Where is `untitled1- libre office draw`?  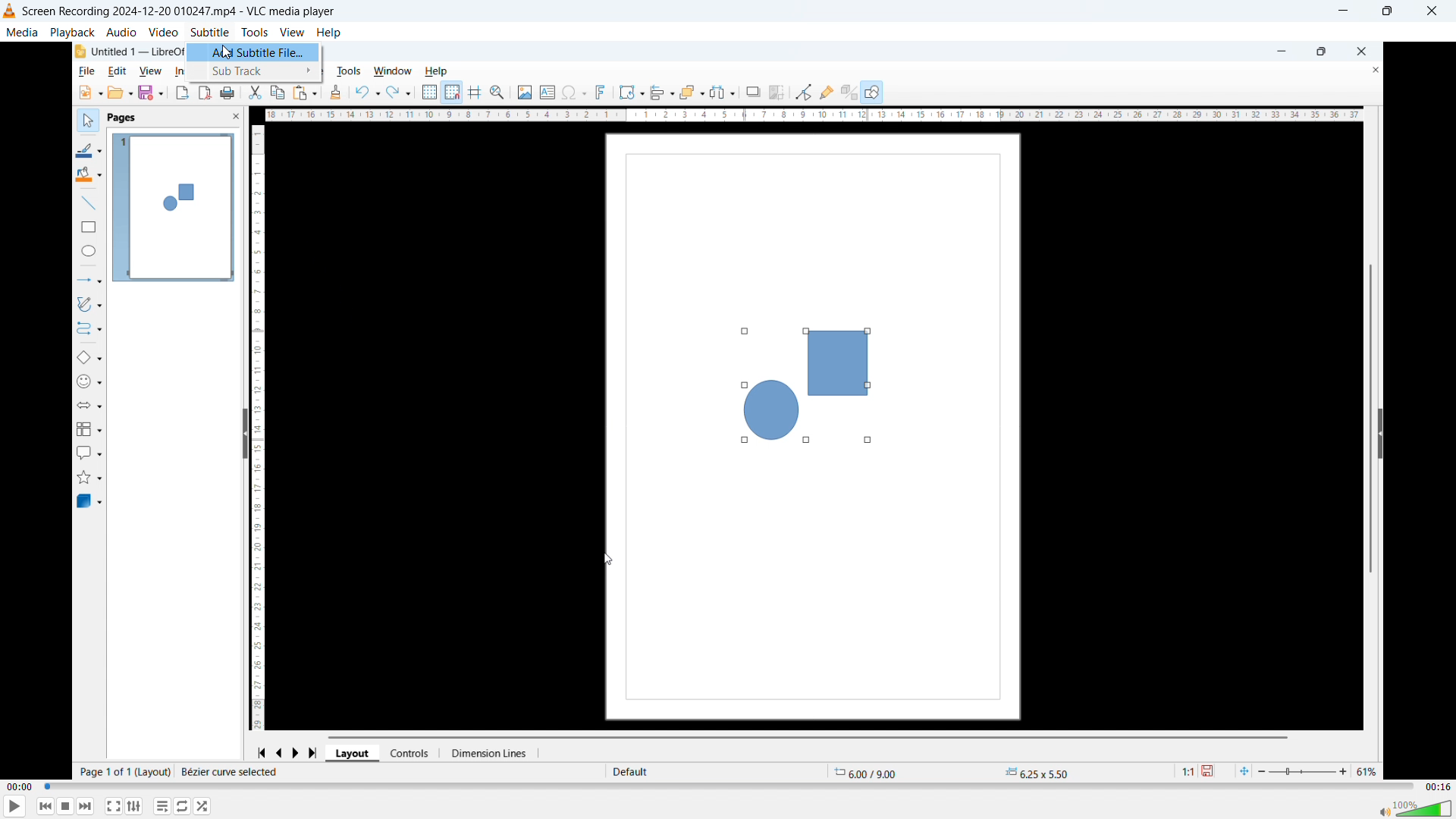 untitled1- libre office draw is located at coordinates (138, 49).